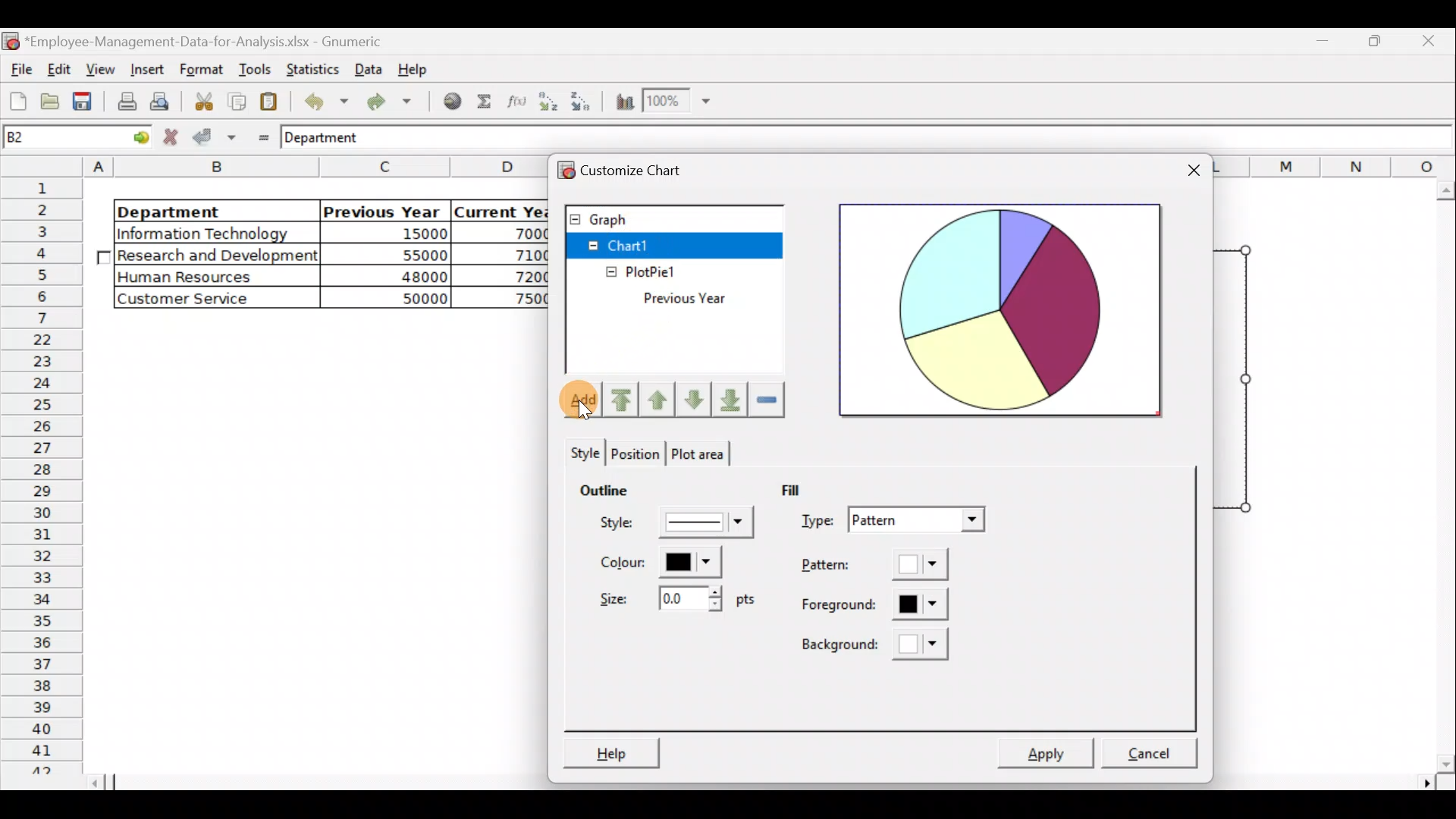 The height and width of the screenshot is (819, 1456). What do you see at coordinates (215, 137) in the screenshot?
I see `Accept change` at bounding box center [215, 137].